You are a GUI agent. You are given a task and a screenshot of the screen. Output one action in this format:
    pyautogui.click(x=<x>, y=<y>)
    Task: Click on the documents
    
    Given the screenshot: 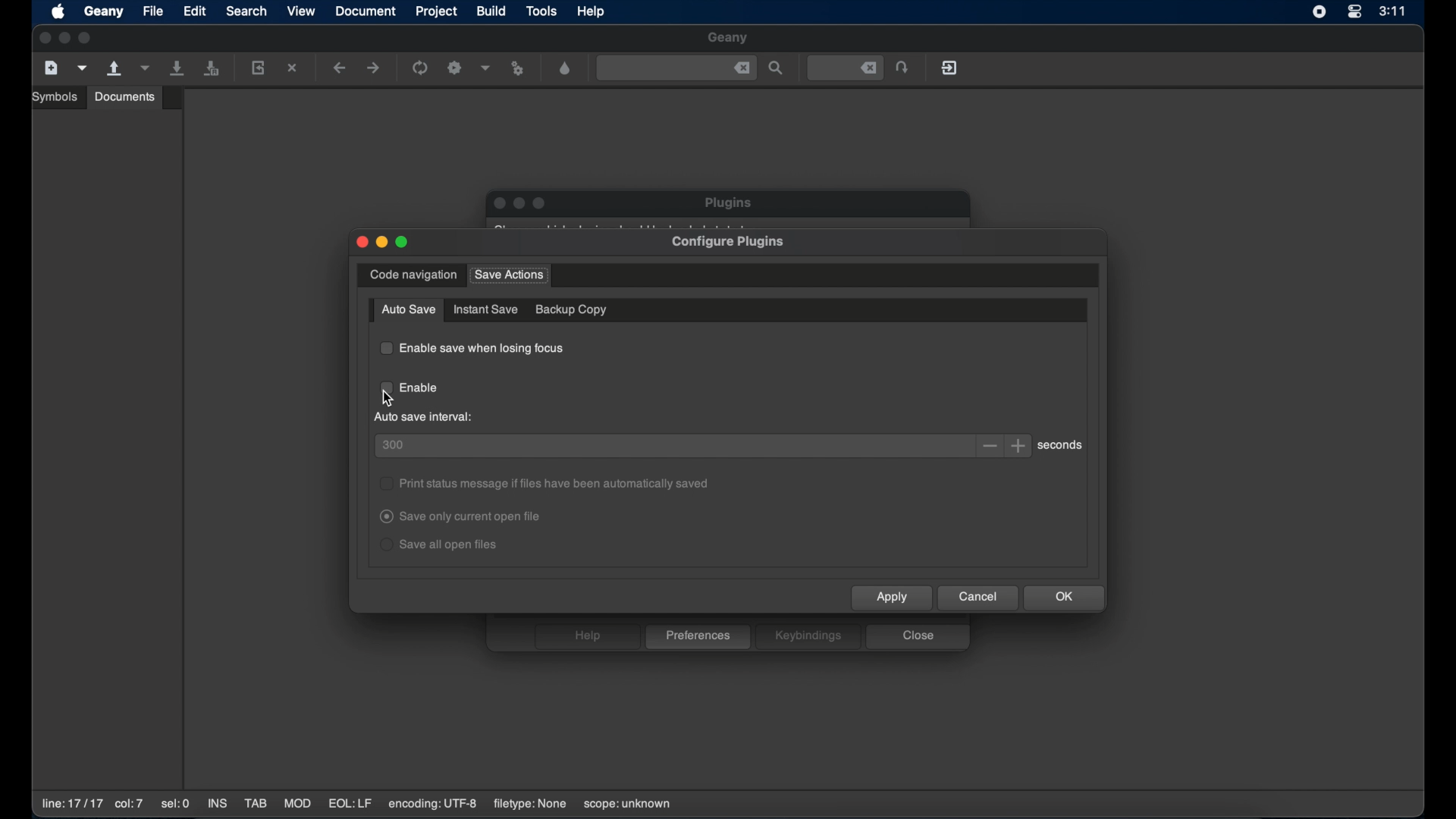 What is the action you would take?
    pyautogui.click(x=125, y=96)
    